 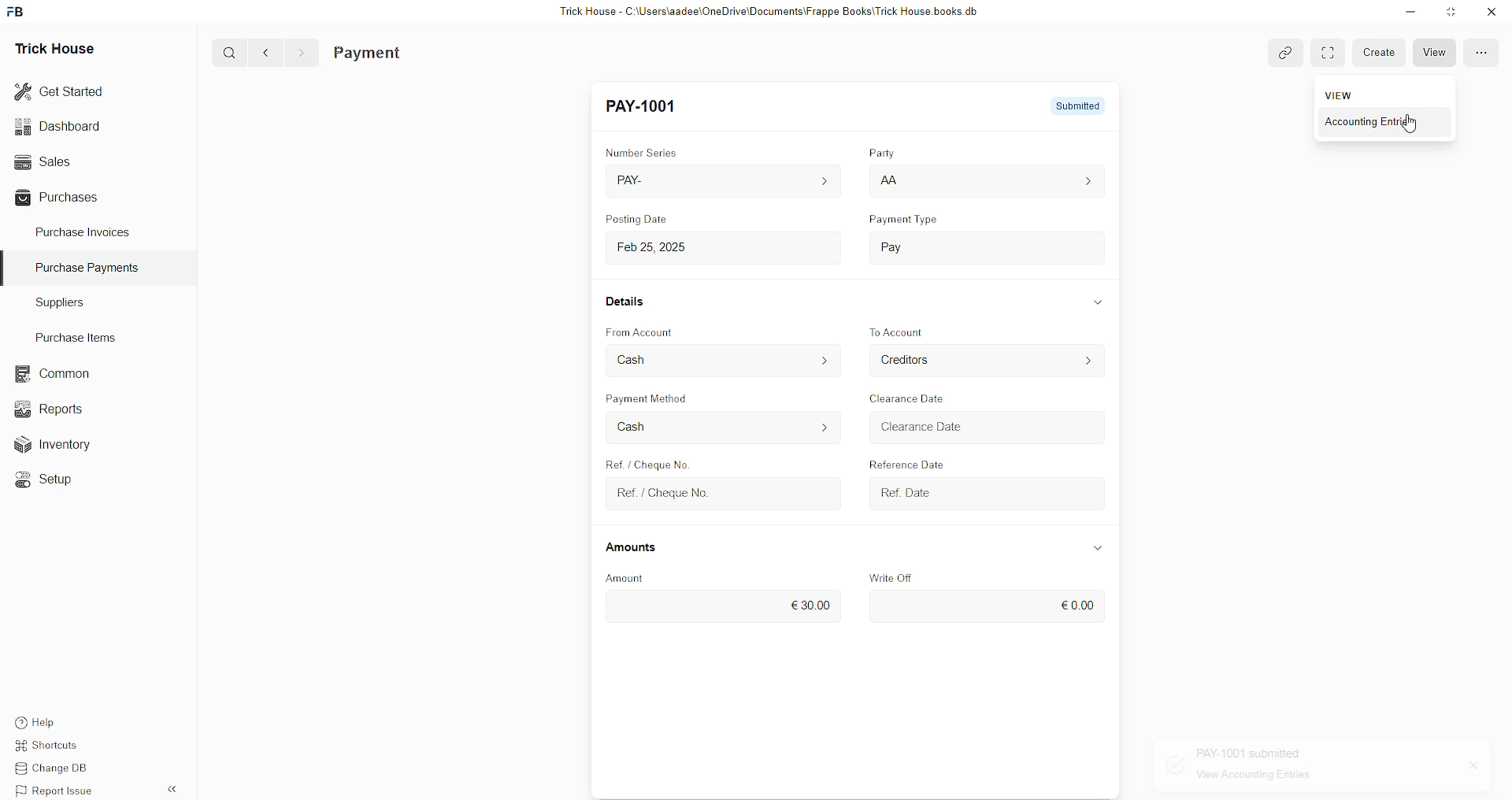 What do you see at coordinates (642, 222) in the screenshot?
I see `Posting Date` at bounding box center [642, 222].